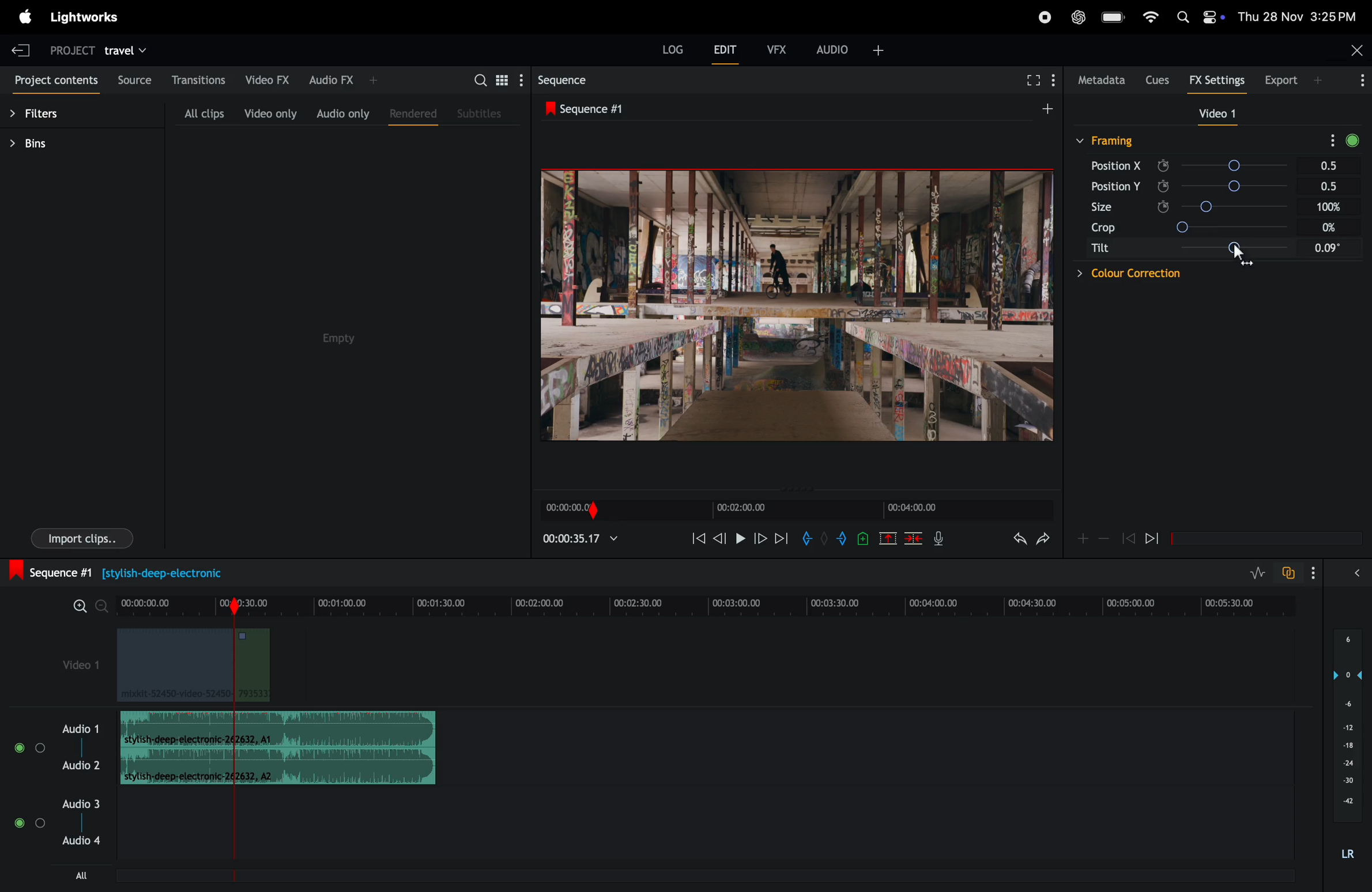 The image size is (1372, 892). Describe the element at coordinates (1289, 572) in the screenshot. I see `toggle auto track sync` at that location.